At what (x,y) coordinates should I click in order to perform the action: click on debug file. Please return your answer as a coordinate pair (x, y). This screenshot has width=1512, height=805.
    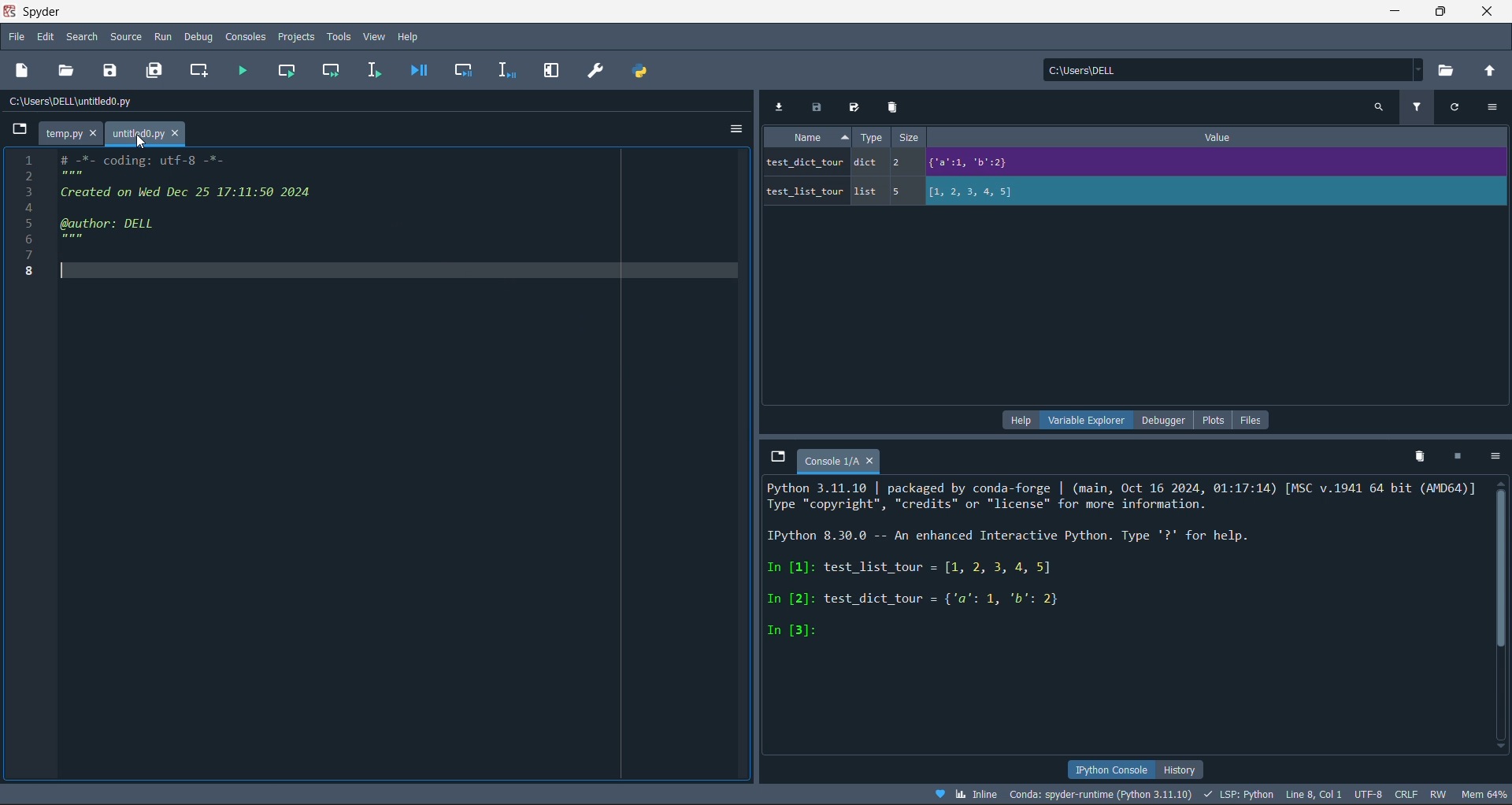
    Looking at the image, I should click on (420, 71).